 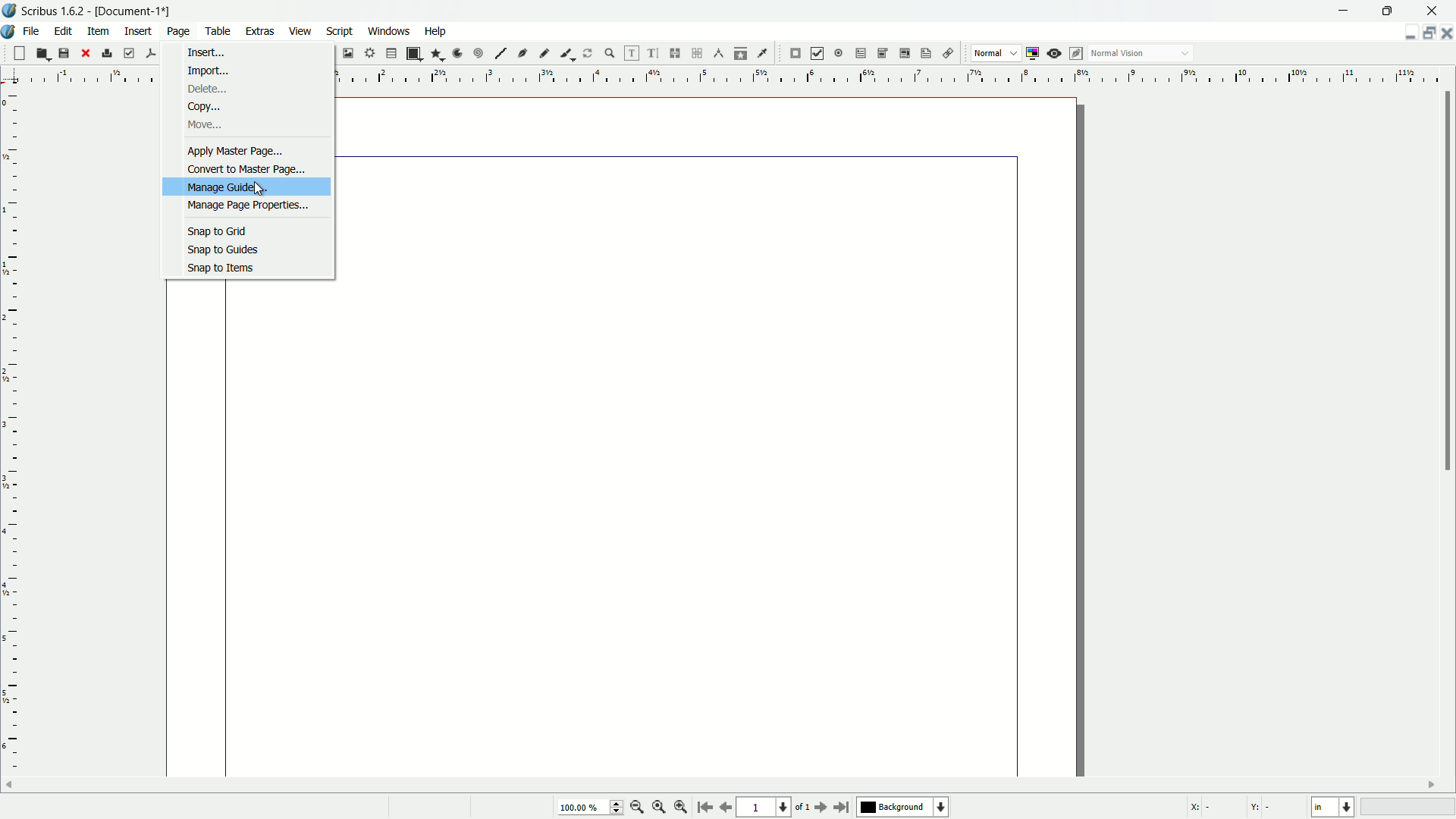 What do you see at coordinates (676, 53) in the screenshot?
I see `link text frames` at bounding box center [676, 53].